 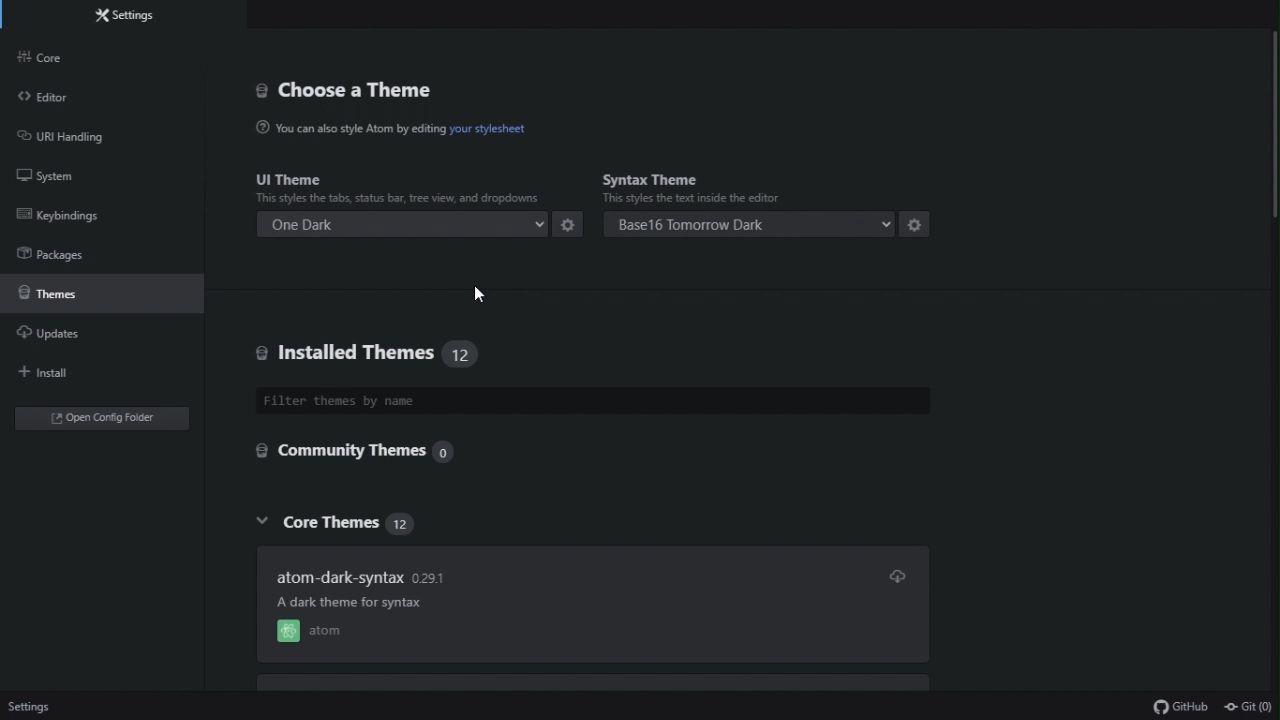 I want to click on one dark, so click(x=403, y=226).